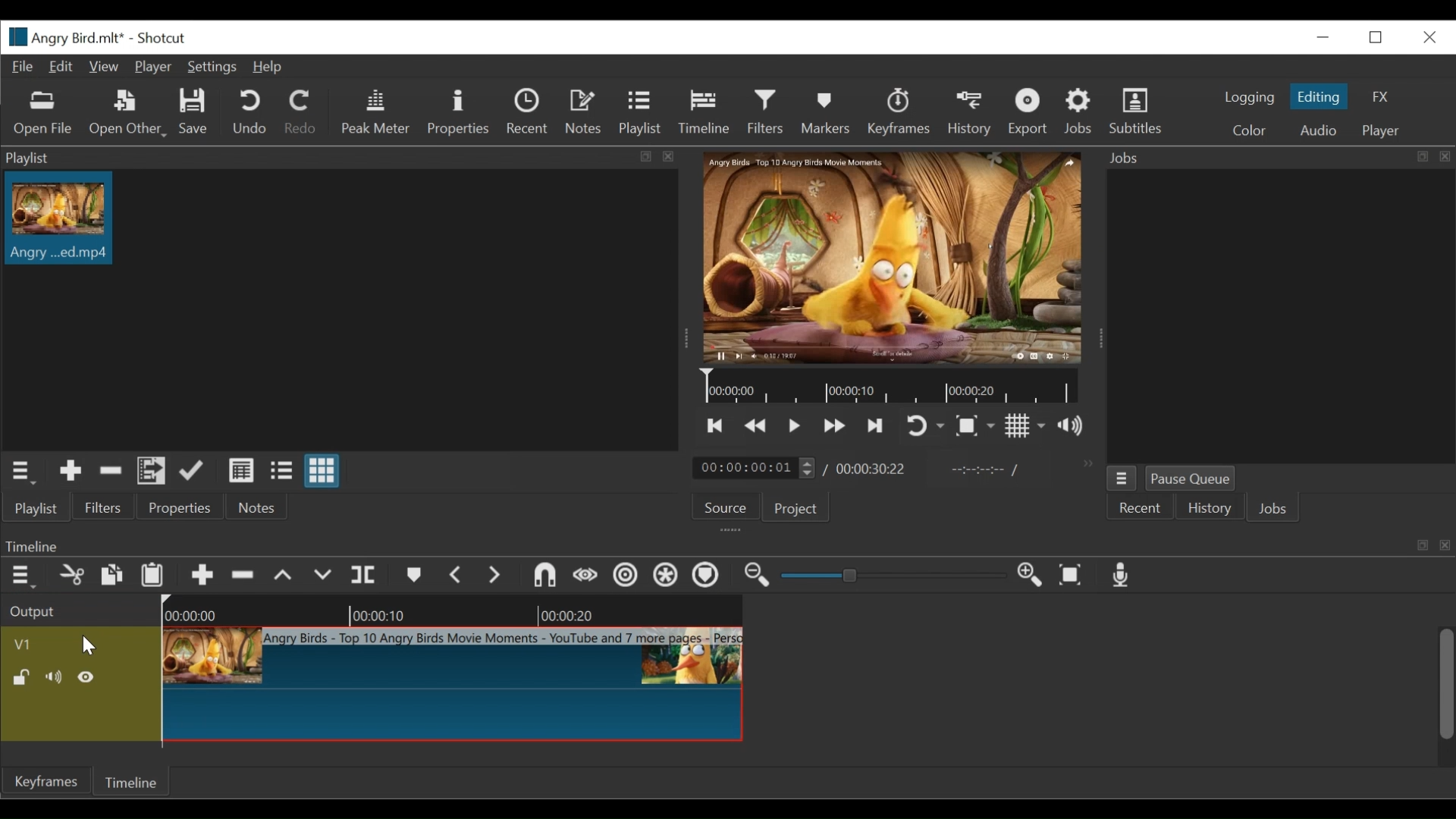 The image size is (1456, 819). What do you see at coordinates (795, 425) in the screenshot?
I see `Toggle play or pause` at bounding box center [795, 425].